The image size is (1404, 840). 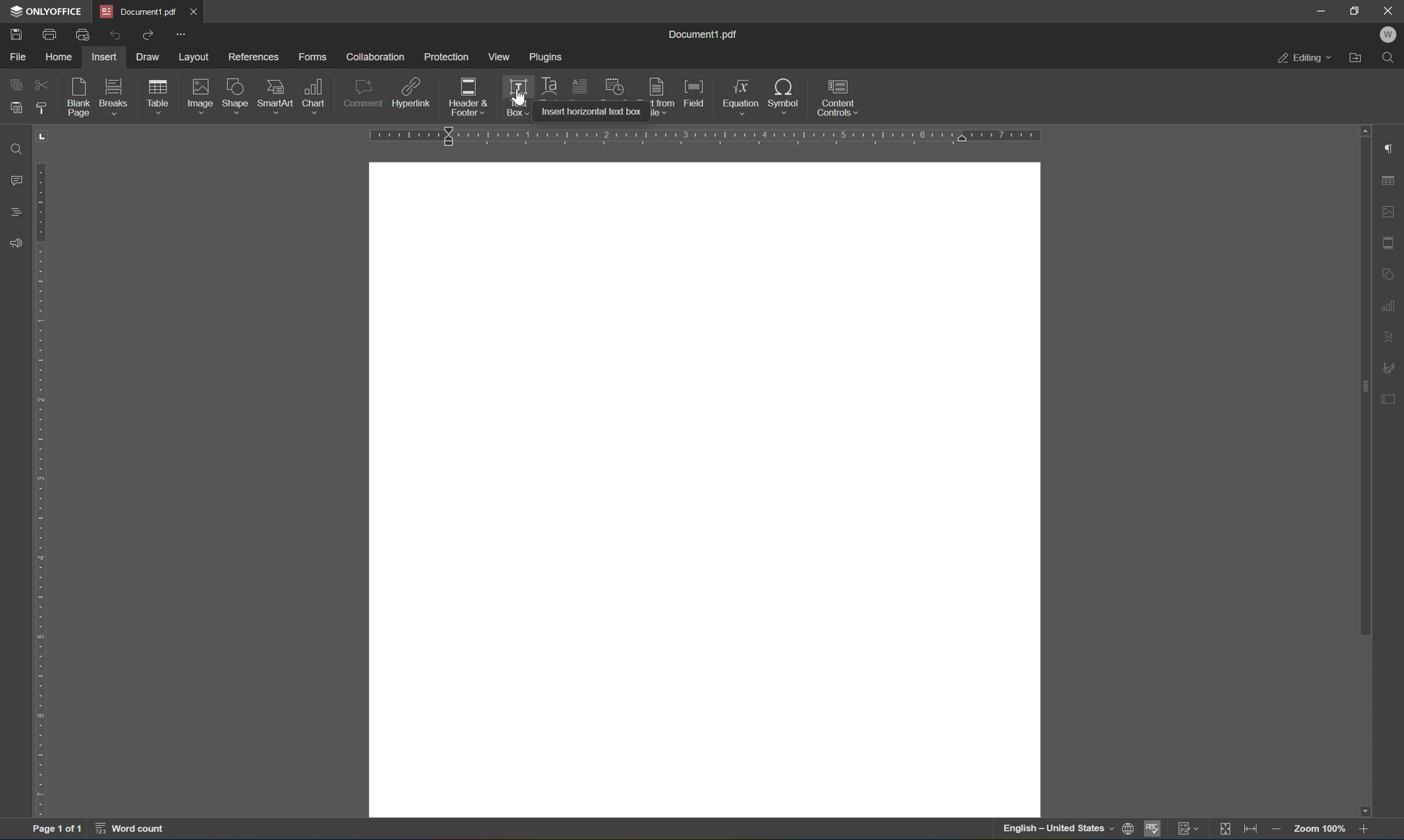 I want to click on paste, so click(x=13, y=109).